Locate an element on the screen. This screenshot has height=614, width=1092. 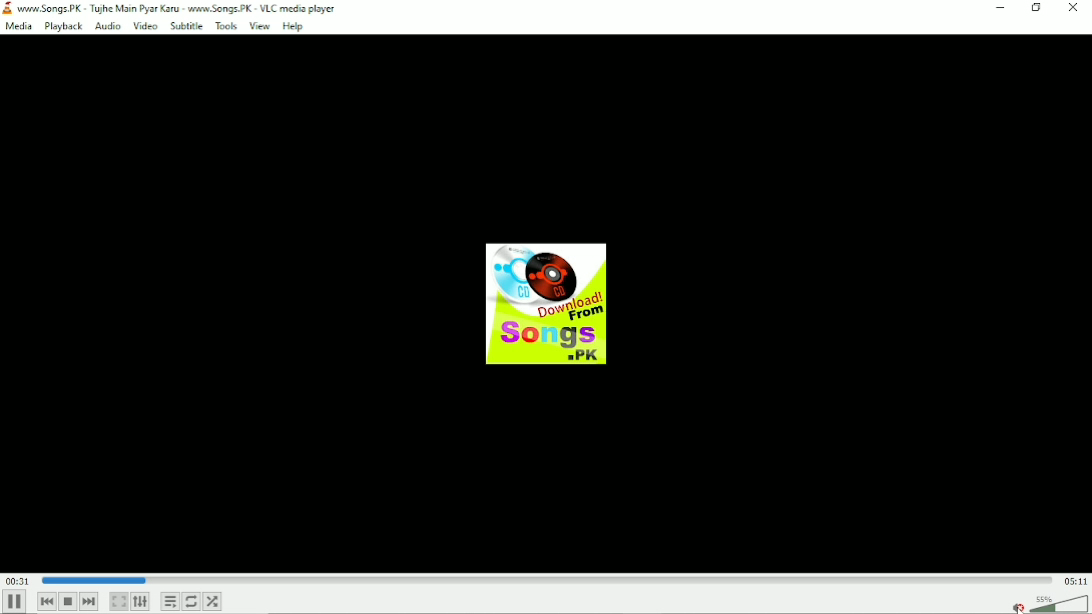
Next is located at coordinates (89, 602).